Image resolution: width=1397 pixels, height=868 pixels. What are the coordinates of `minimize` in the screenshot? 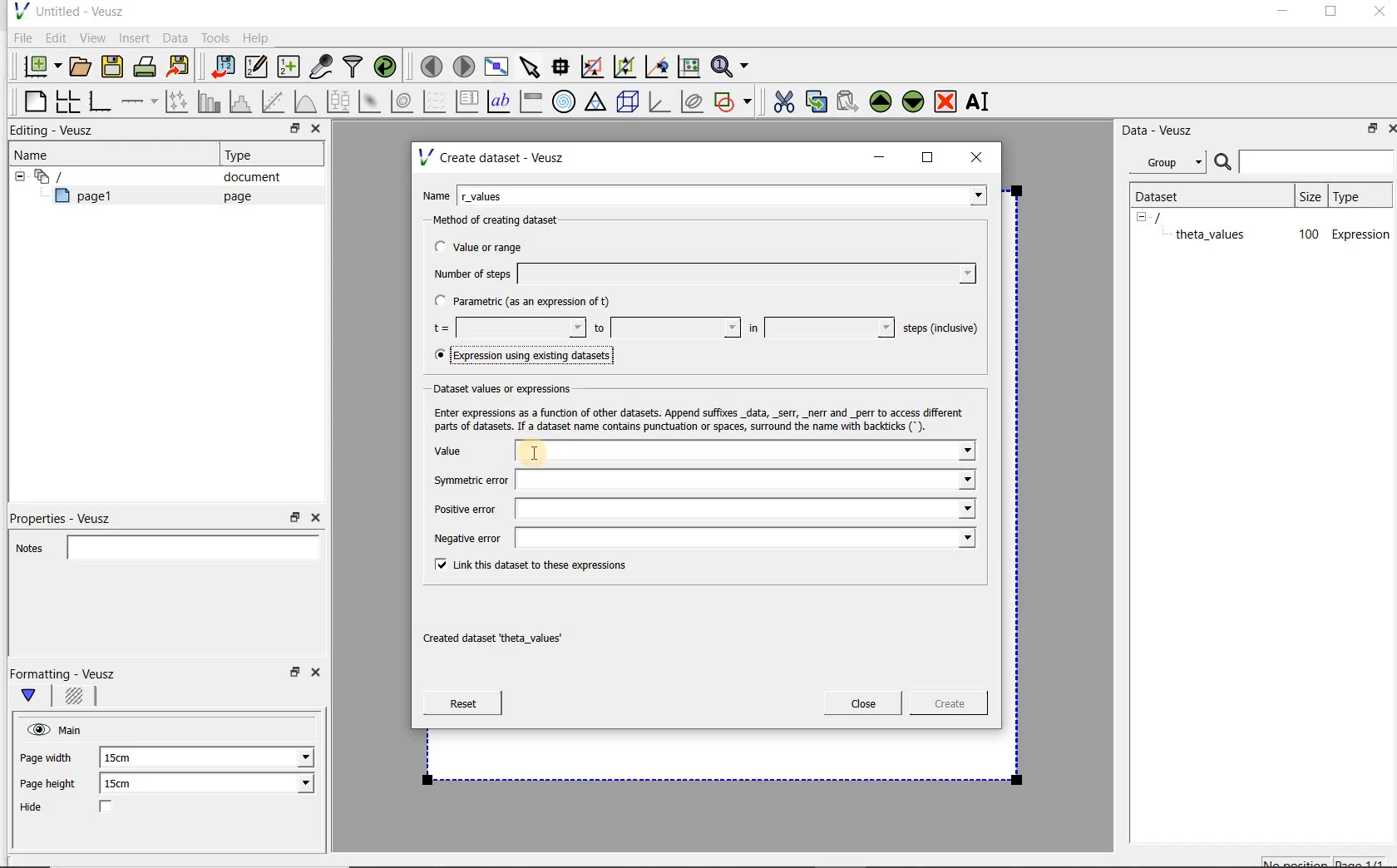 It's located at (880, 157).